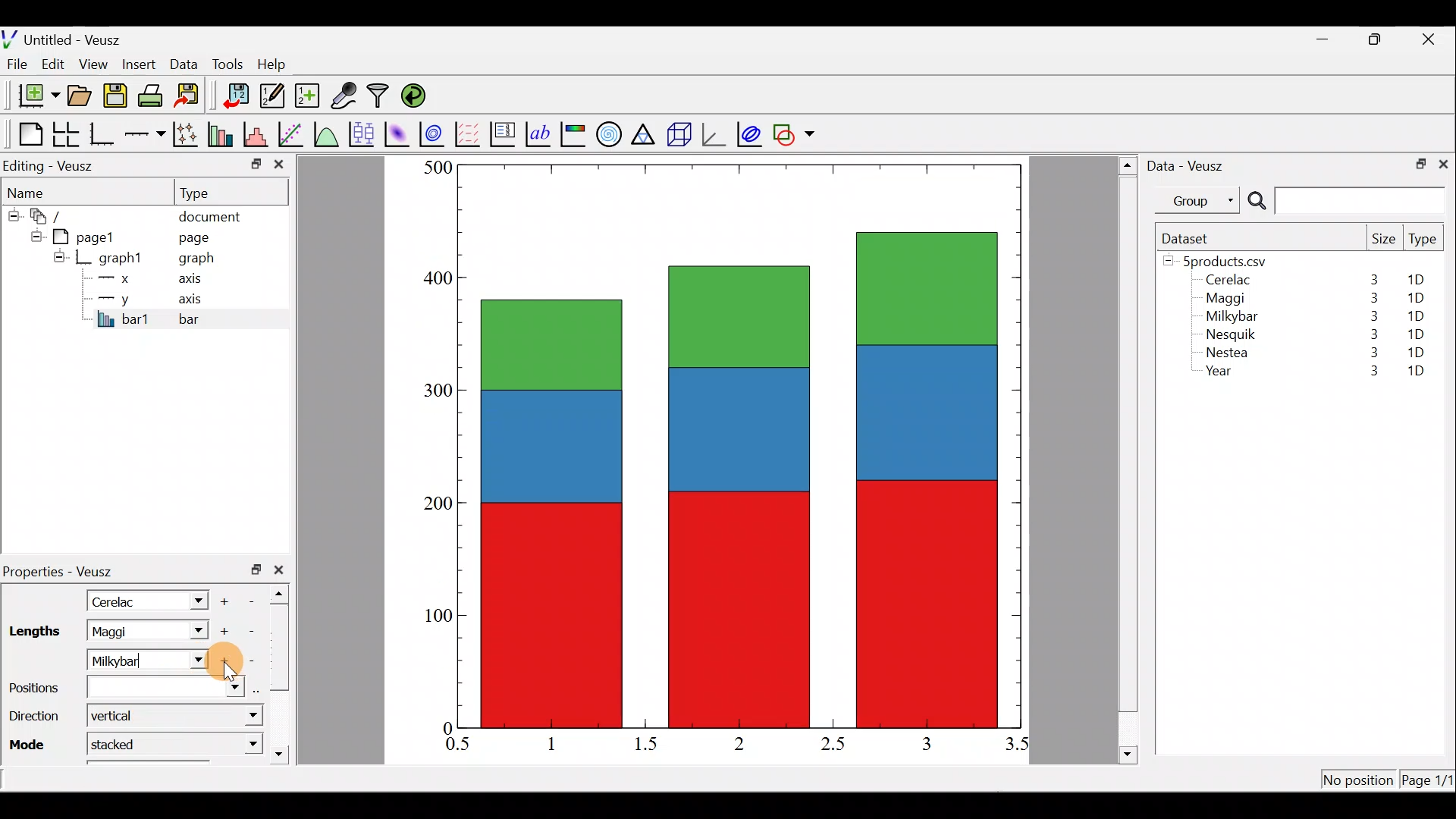  Describe the element at coordinates (222, 133) in the screenshot. I see `Plot bar charts` at that location.